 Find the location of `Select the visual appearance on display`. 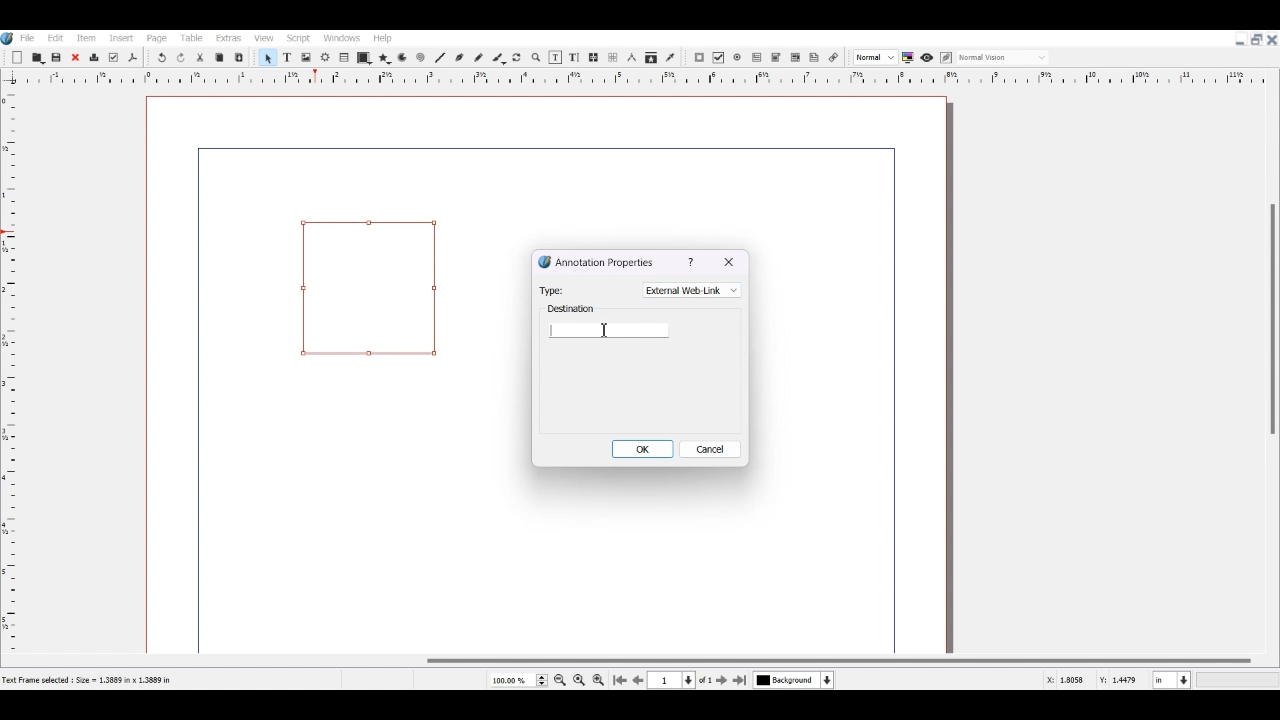

Select the visual appearance on display is located at coordinates (1004, 56).